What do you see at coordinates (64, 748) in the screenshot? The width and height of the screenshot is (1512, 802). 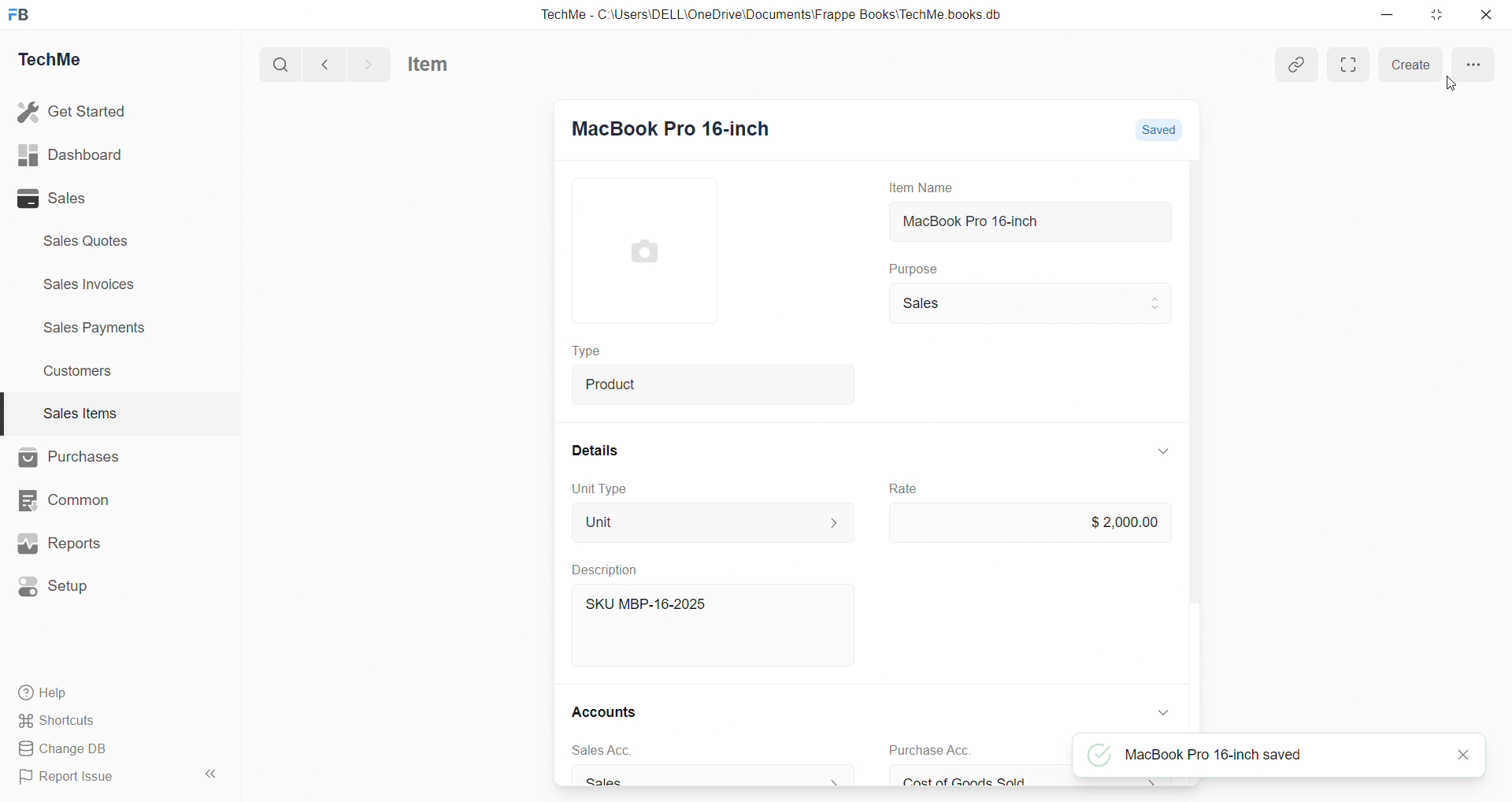 I see `Change DB` at bounding box center [64, 748].